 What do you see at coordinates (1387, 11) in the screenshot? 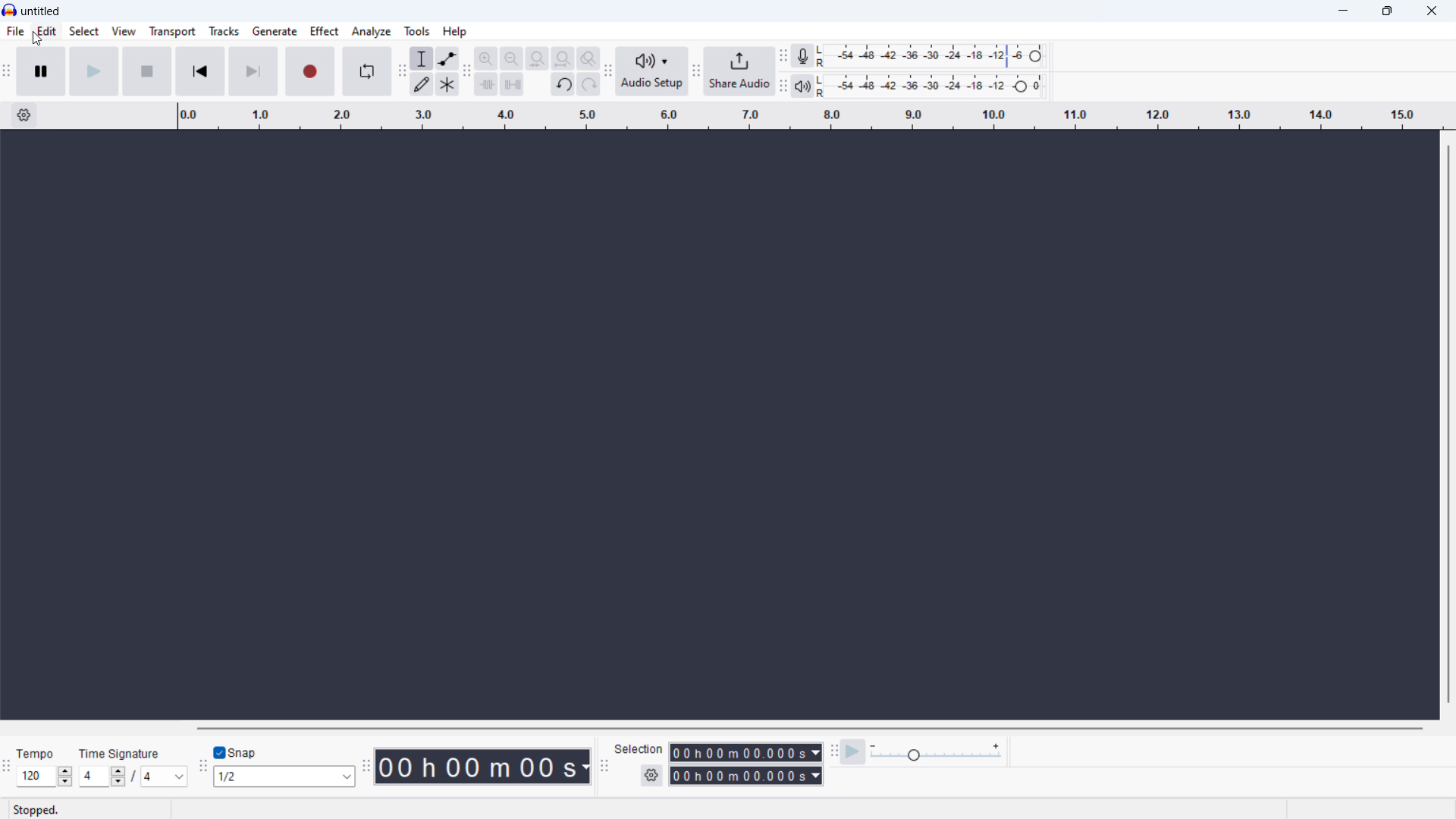
I see `maximize` at bounding box center [1387, 11].